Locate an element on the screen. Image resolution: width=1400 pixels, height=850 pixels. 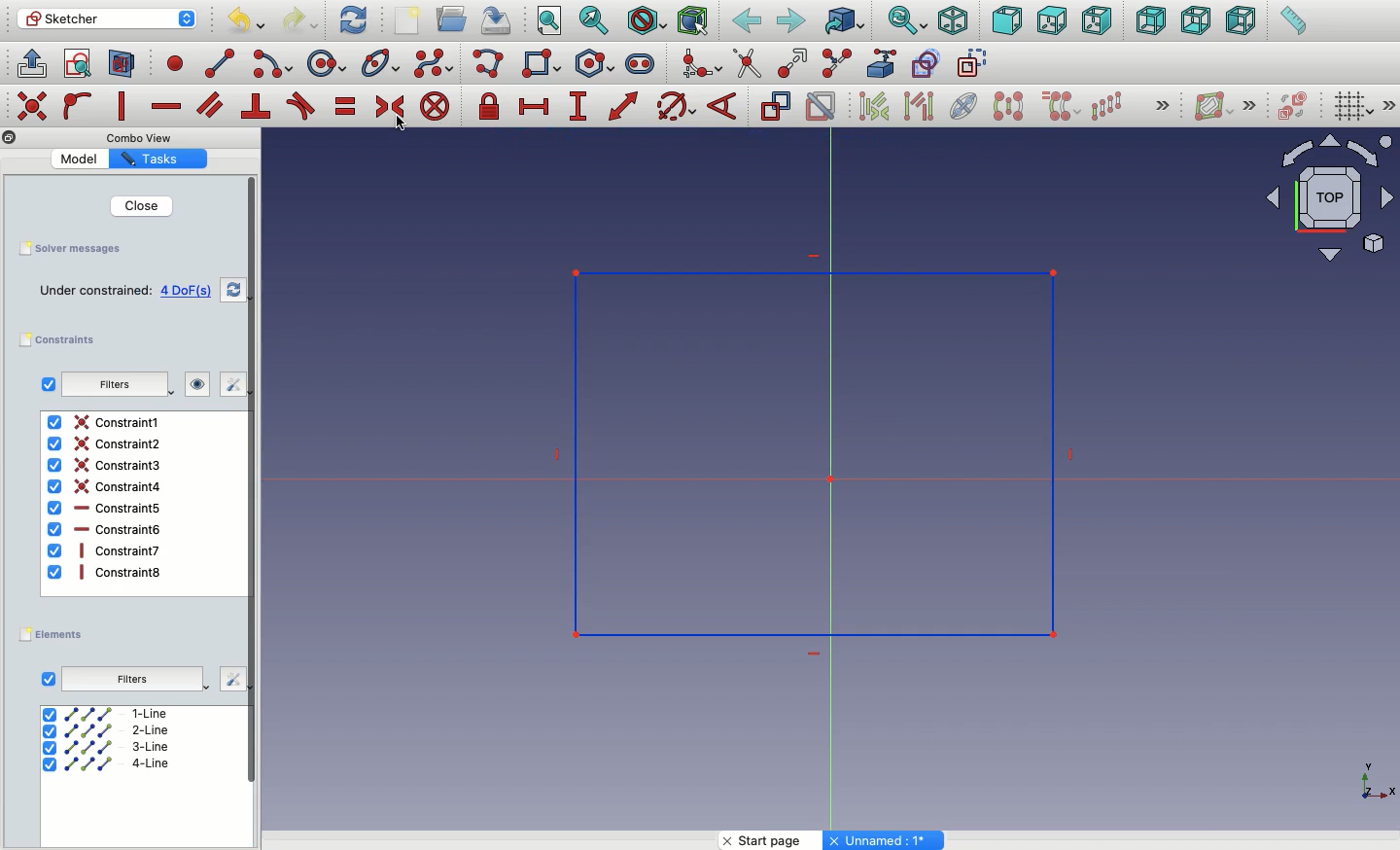
Expand is located at coordinates (1163, 107).